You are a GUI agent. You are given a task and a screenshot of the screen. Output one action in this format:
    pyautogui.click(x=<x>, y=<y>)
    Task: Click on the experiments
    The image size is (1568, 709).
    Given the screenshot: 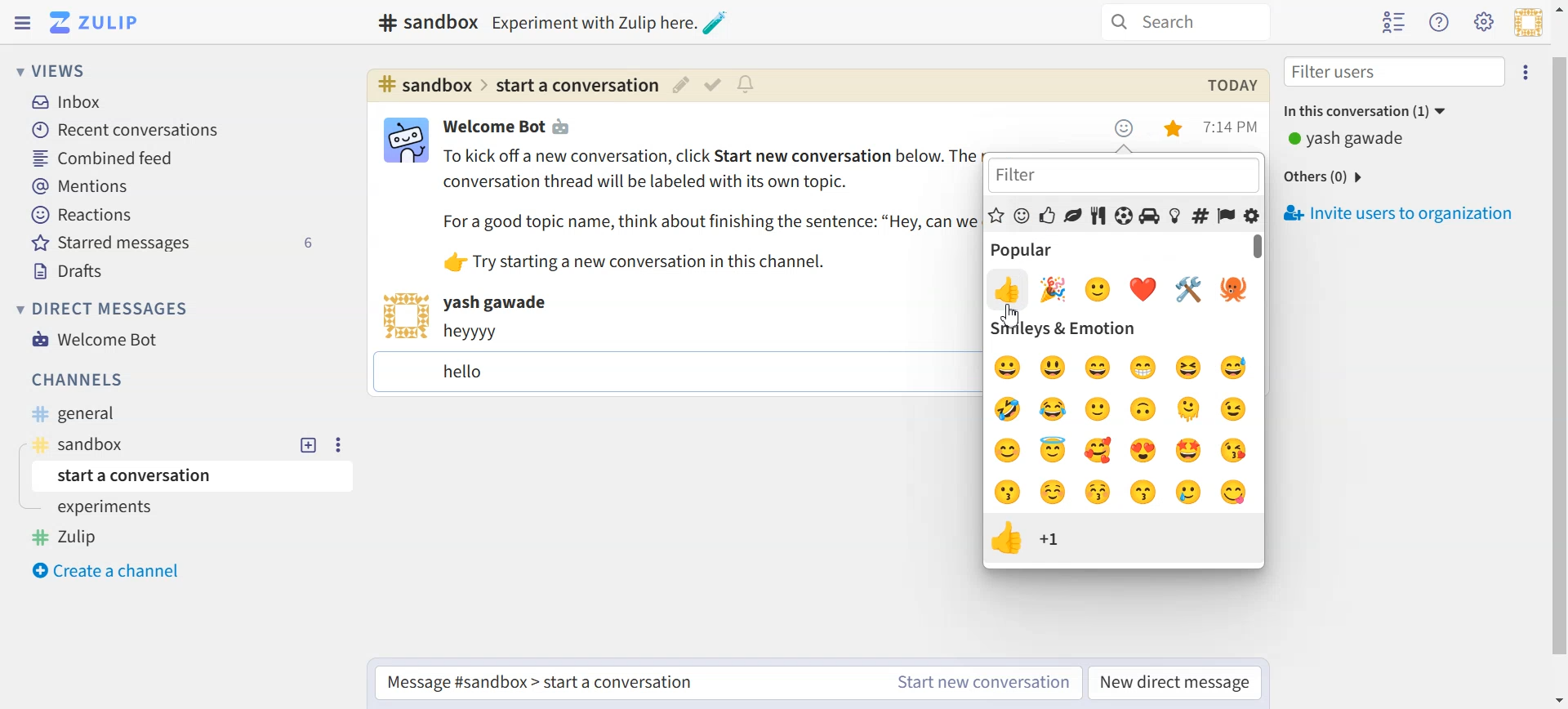 What is the action you would take?
    pyautogui.click(x=109, y=509)
    